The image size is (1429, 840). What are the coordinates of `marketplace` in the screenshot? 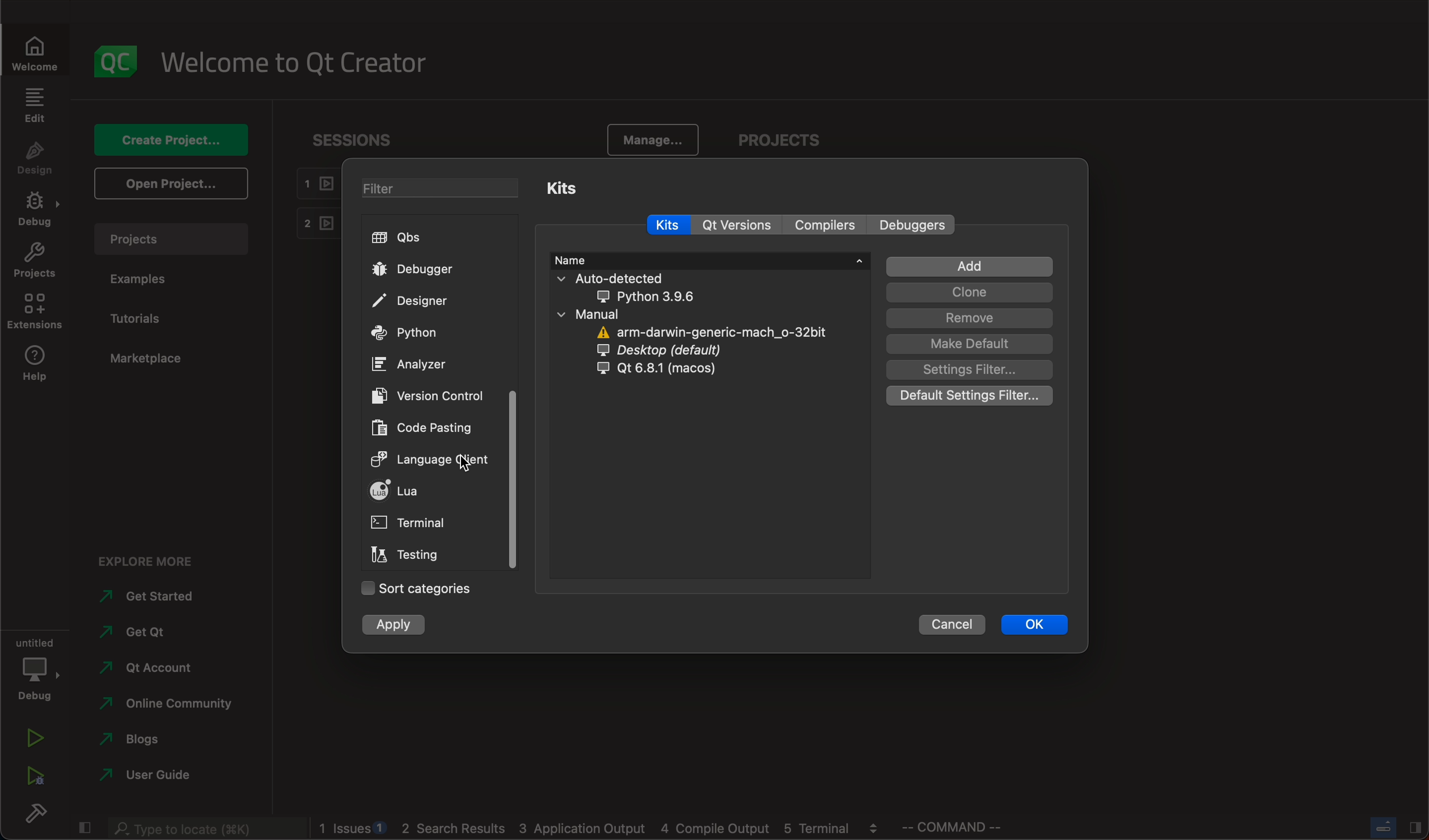 It's located at (146, 360).